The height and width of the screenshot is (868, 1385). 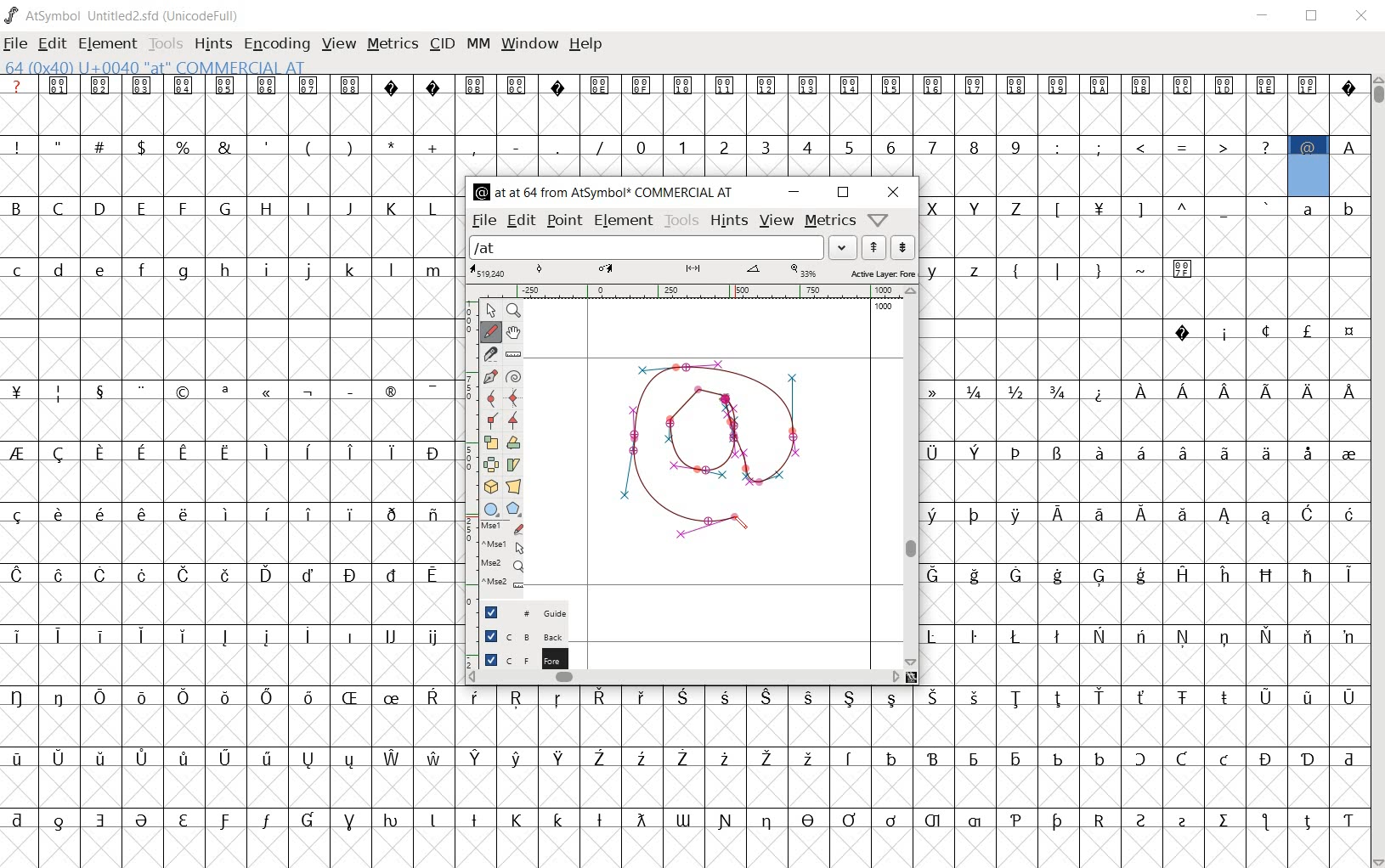 I want to click on checkbox, so click(x=491, y=635).